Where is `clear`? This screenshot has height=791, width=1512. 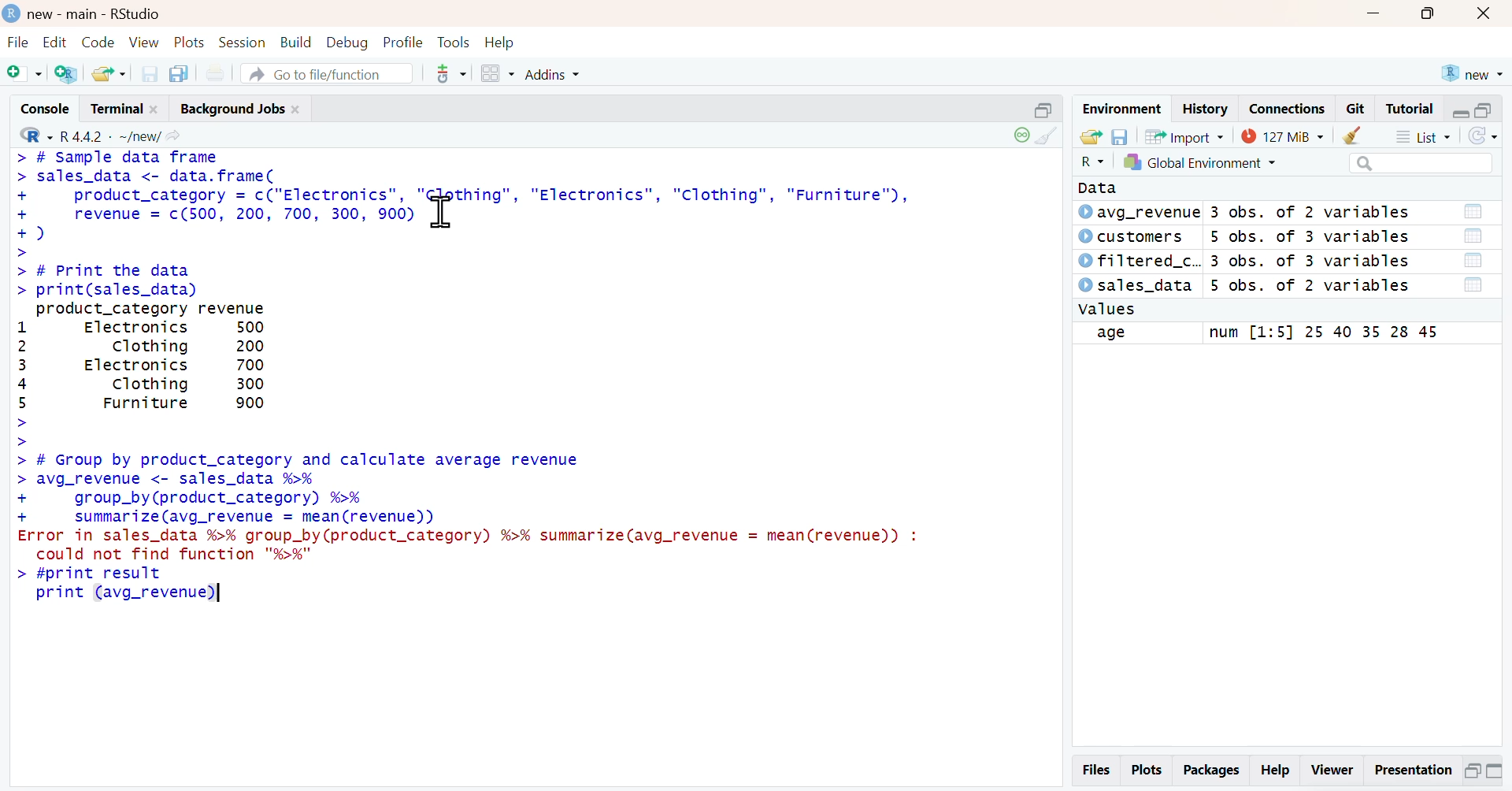 clear is located at coordinates (1349, 135).